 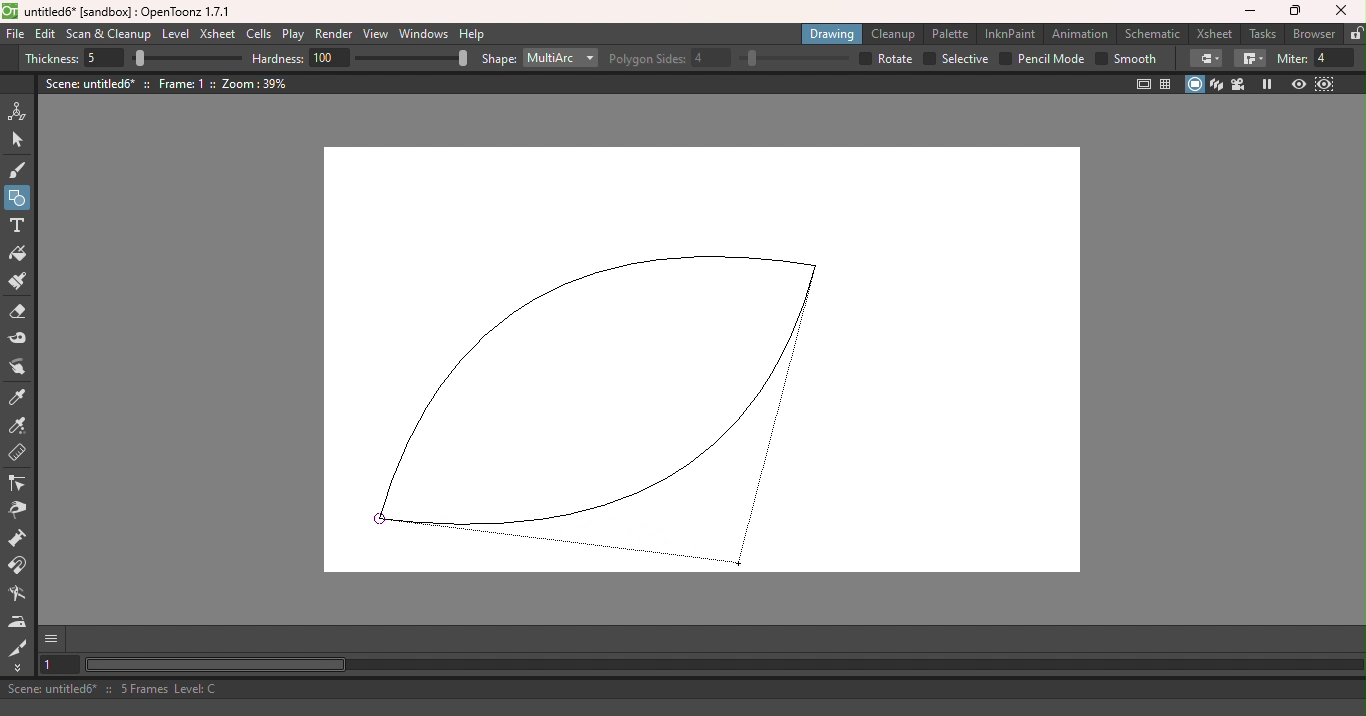 I want to click on Smooth, so click(x=1126, y=60).